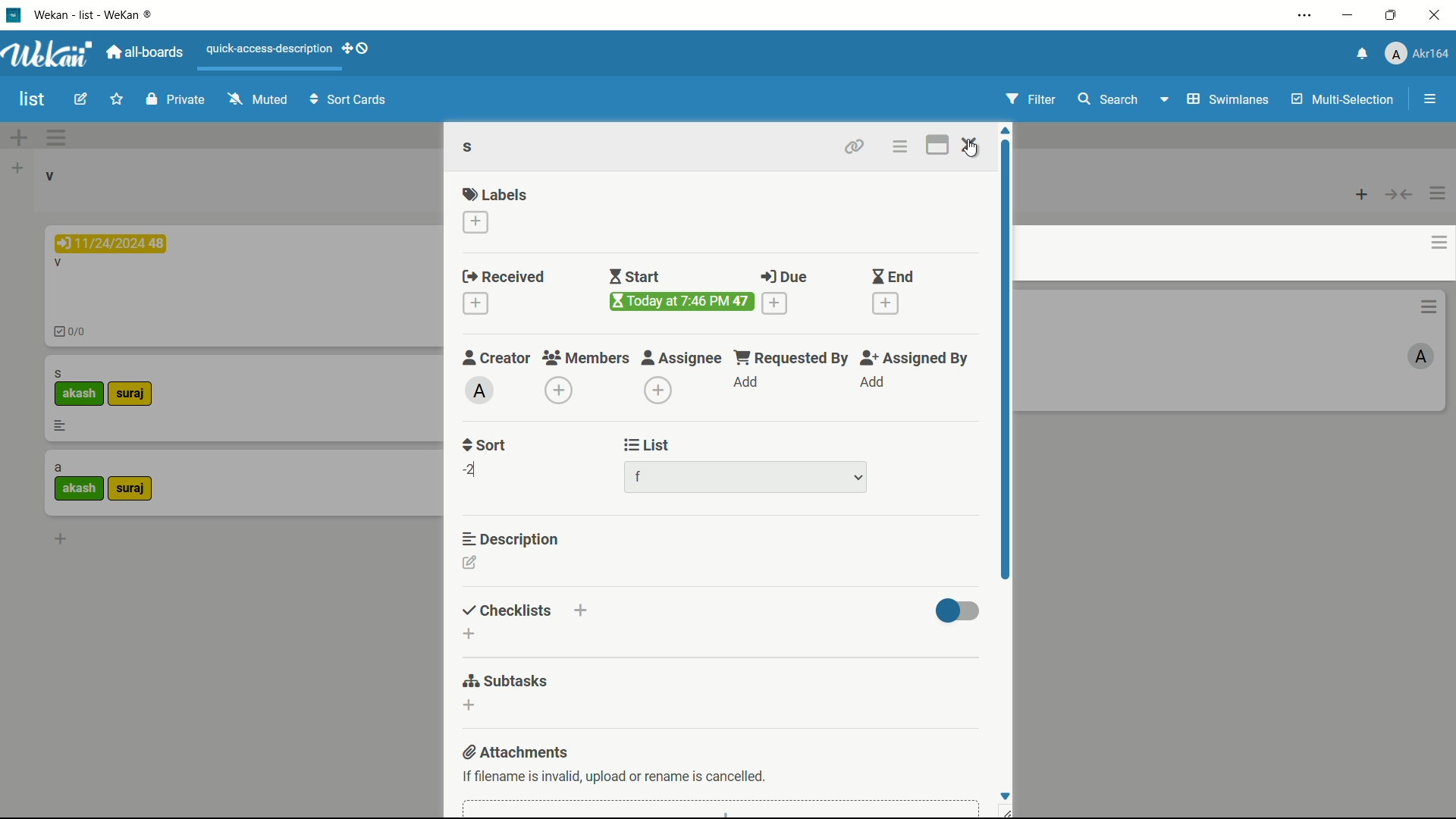  Describe the element at coordinates (684, 357) in the screenshot. I see `assignee` at that location.